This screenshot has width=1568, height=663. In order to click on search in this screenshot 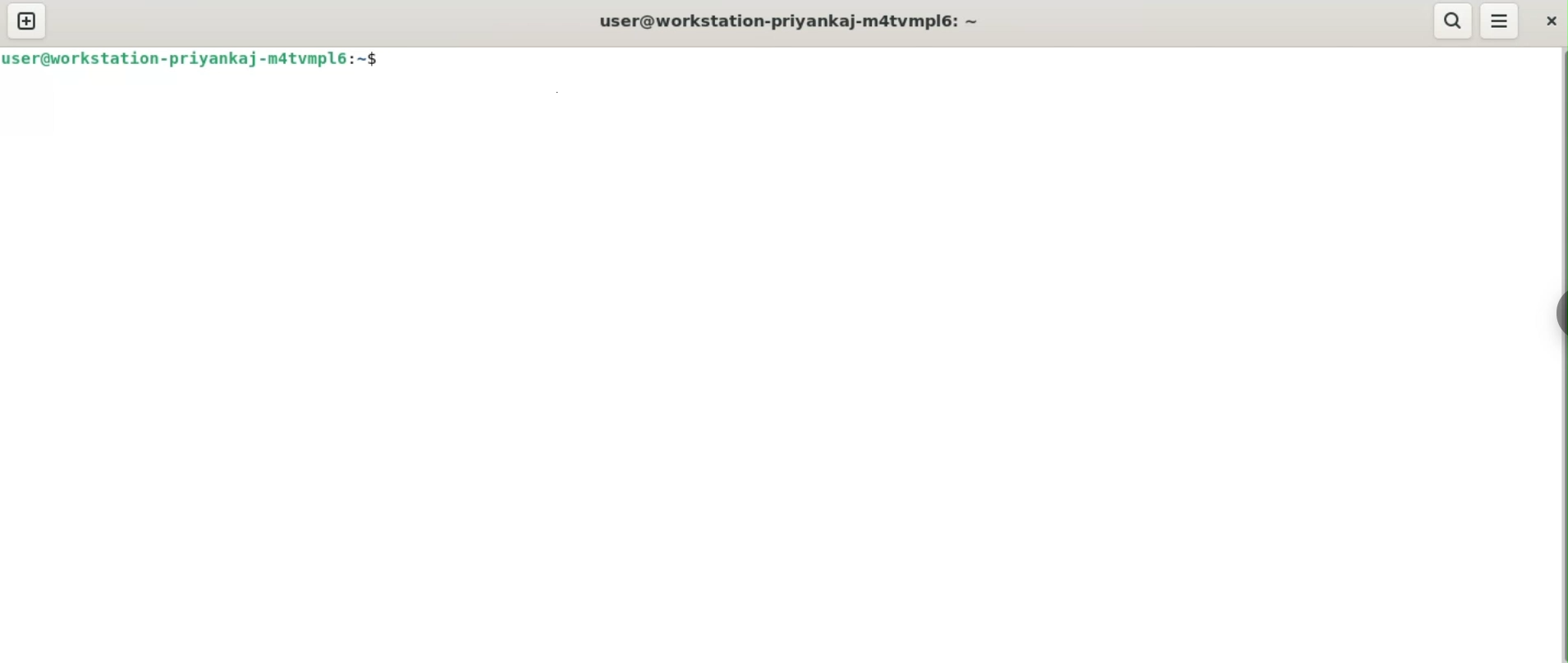, I will do `click(1452, 21)`.